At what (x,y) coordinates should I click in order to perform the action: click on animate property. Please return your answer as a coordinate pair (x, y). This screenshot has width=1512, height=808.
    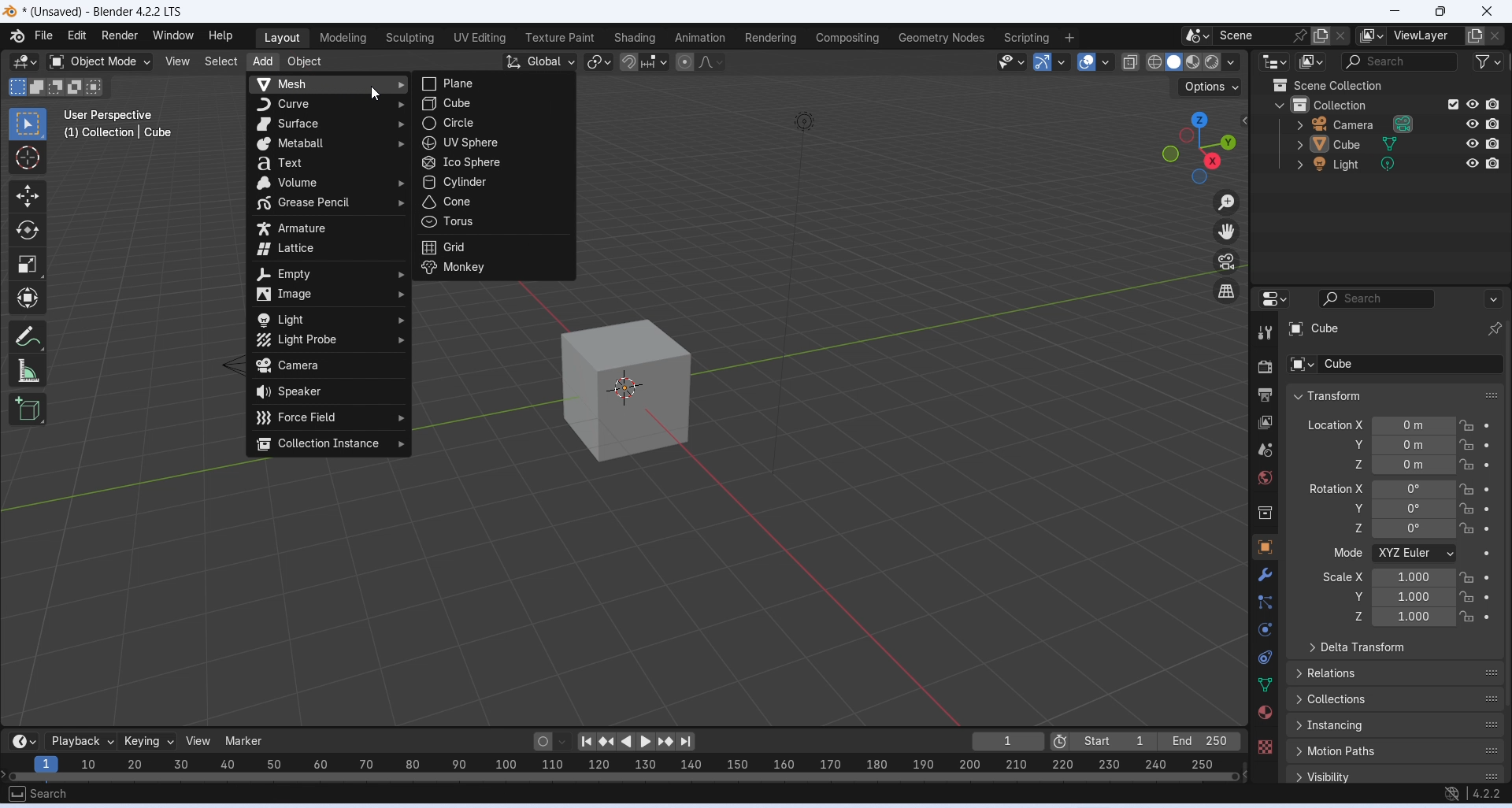
    Looking at the image, I should click on (1487, 529).